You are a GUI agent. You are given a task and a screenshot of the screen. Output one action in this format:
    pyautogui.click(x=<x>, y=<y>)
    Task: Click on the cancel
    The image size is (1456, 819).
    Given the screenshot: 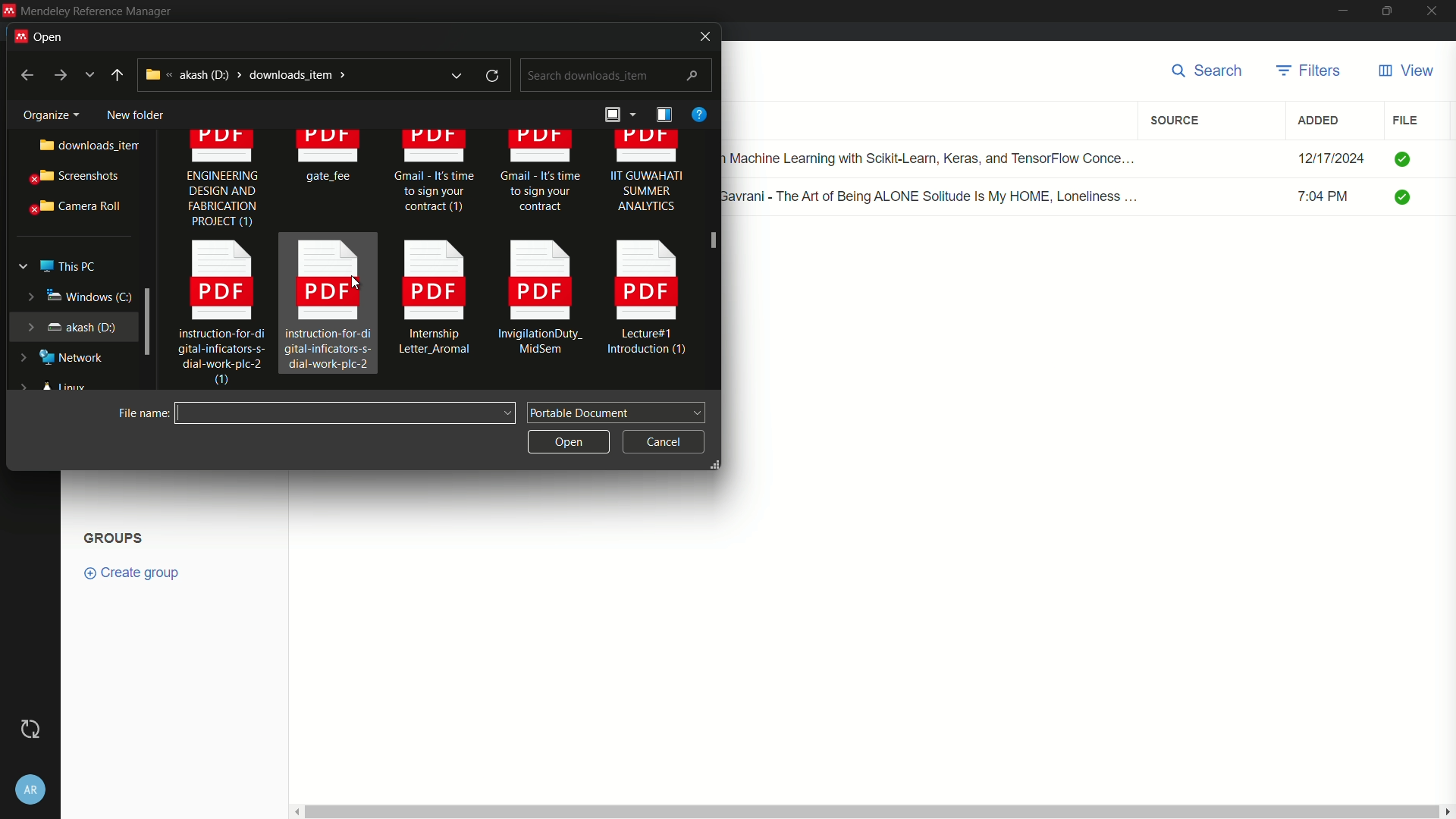 What is the action you would take?
    pyautogui.click(x=664, y=439)
    